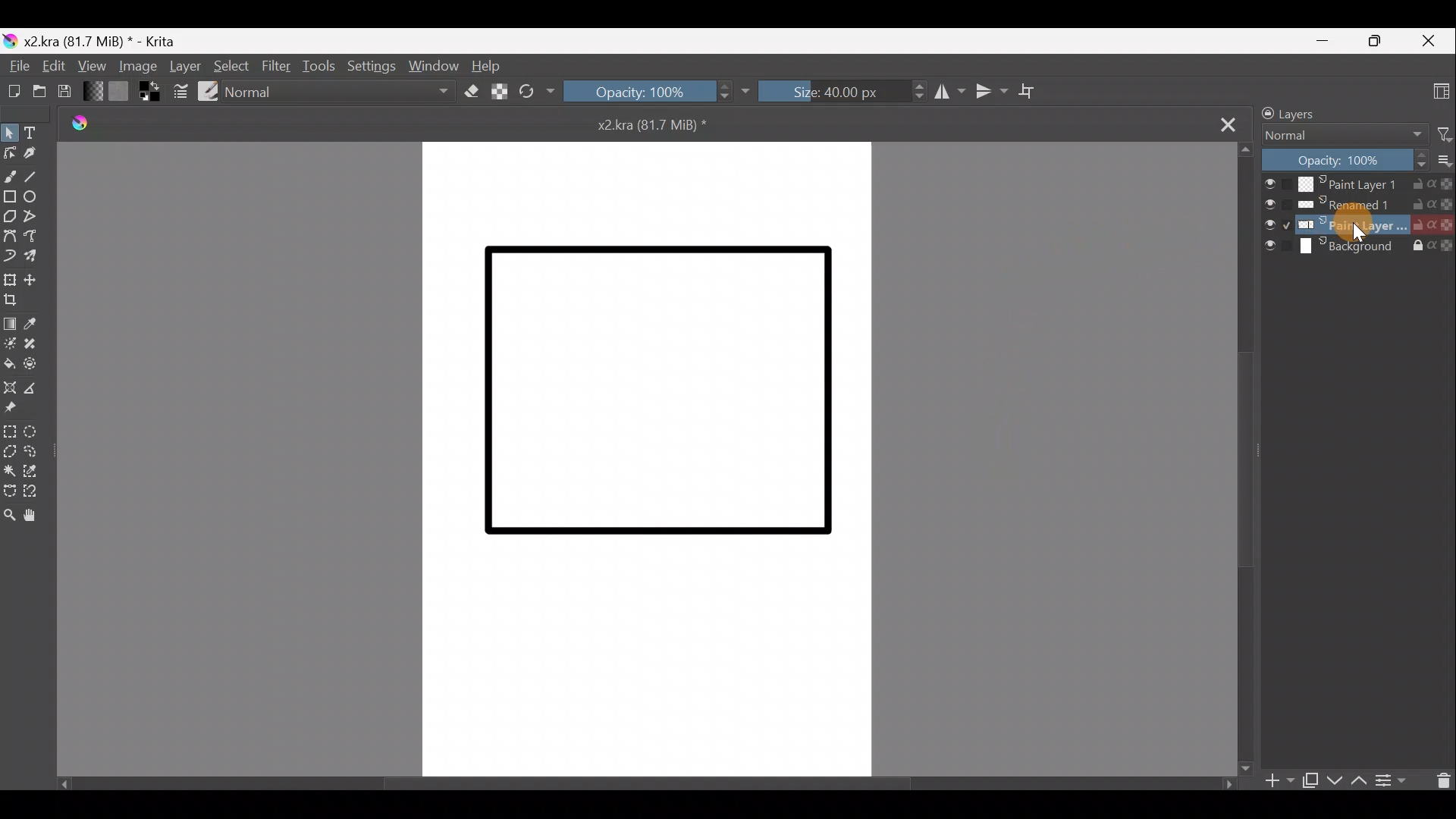  I want to click on Minimize, so click(1324, 42).